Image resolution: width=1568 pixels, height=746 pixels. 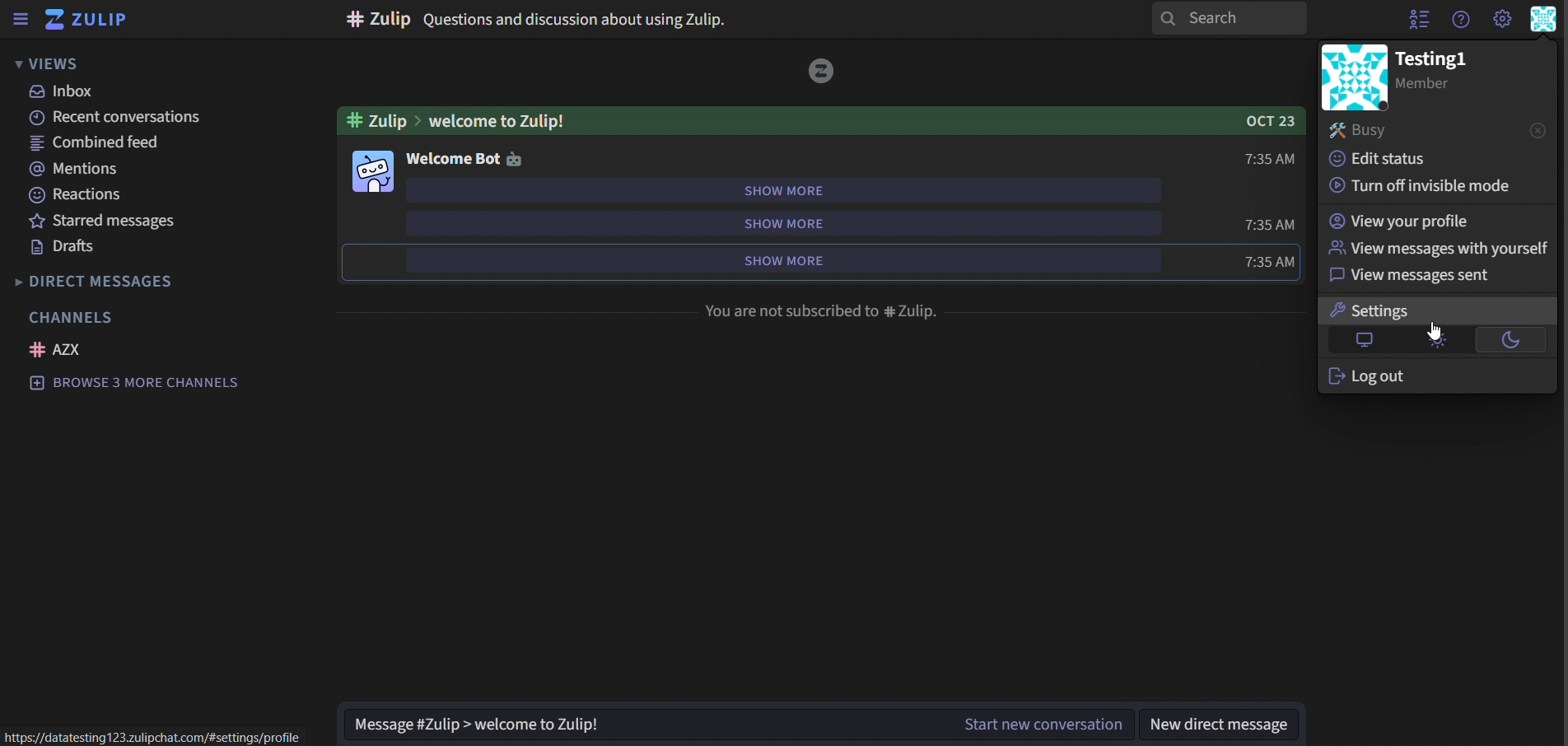 I want to click on inbox, so click(x=65, y=93).